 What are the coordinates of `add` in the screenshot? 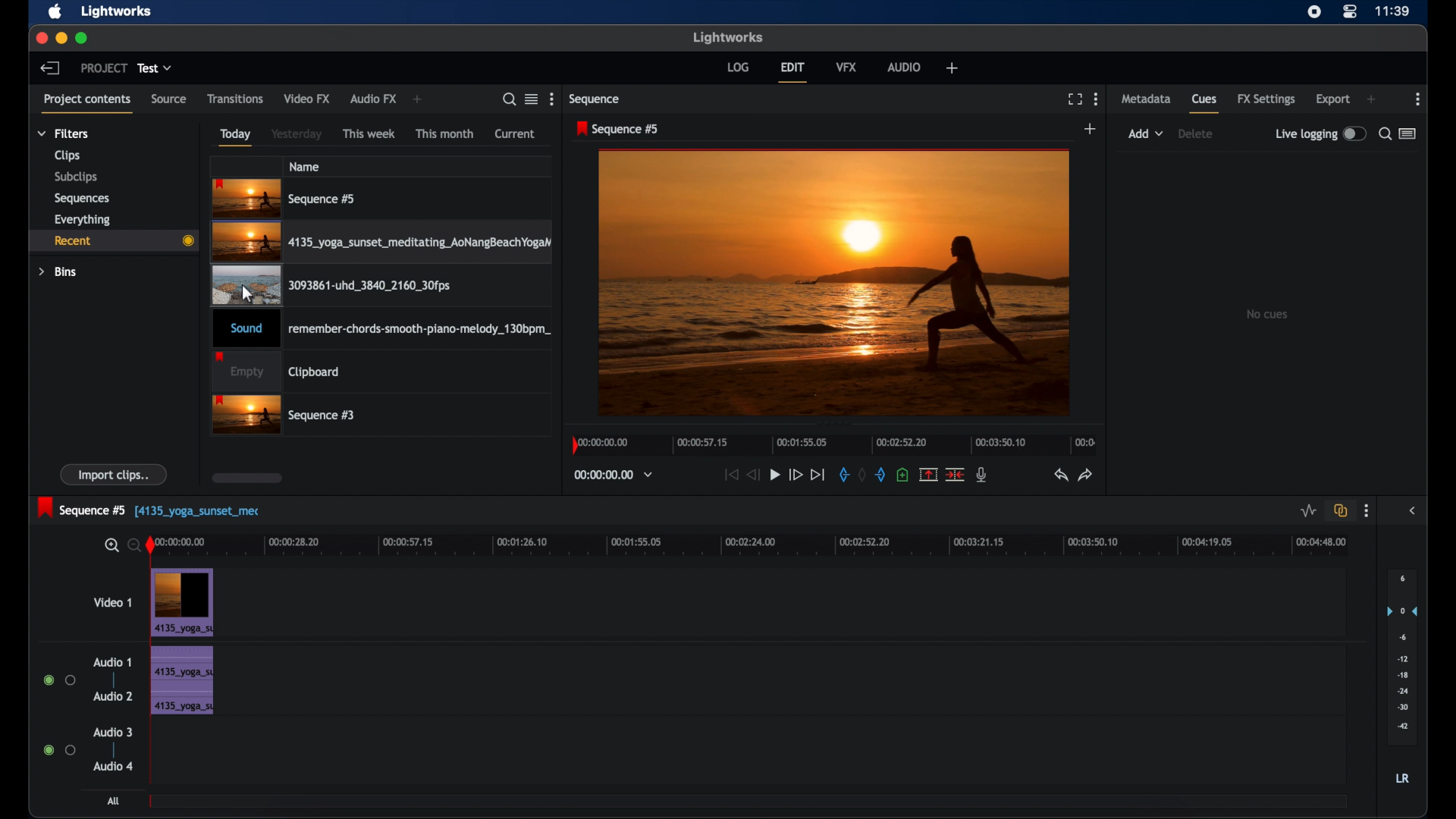 It's located at (1371, 99).